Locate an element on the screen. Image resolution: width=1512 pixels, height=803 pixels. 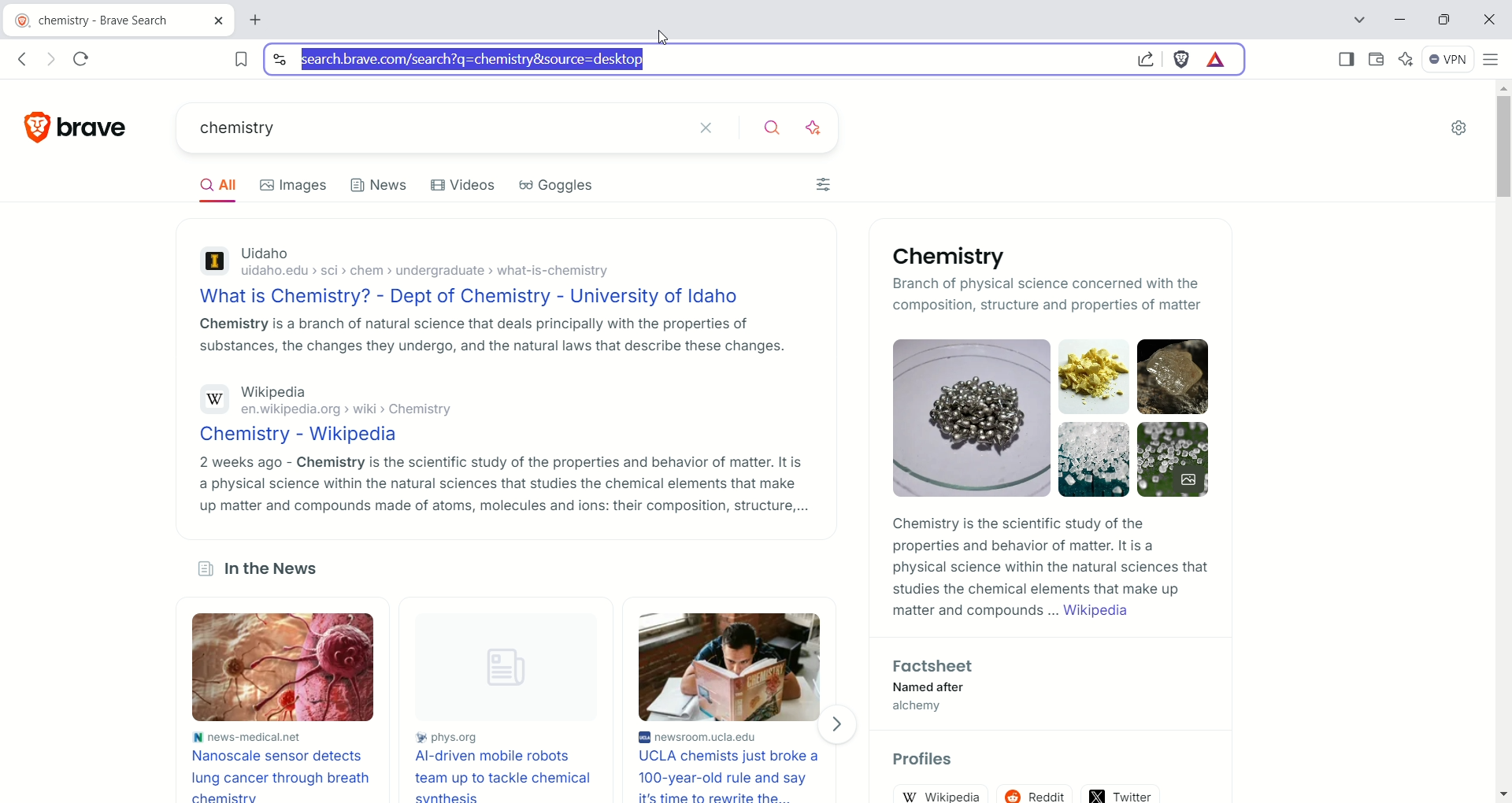
AI-driven mobile robots team up to tackle chemical synthesis is located at coordinates (511, 776).